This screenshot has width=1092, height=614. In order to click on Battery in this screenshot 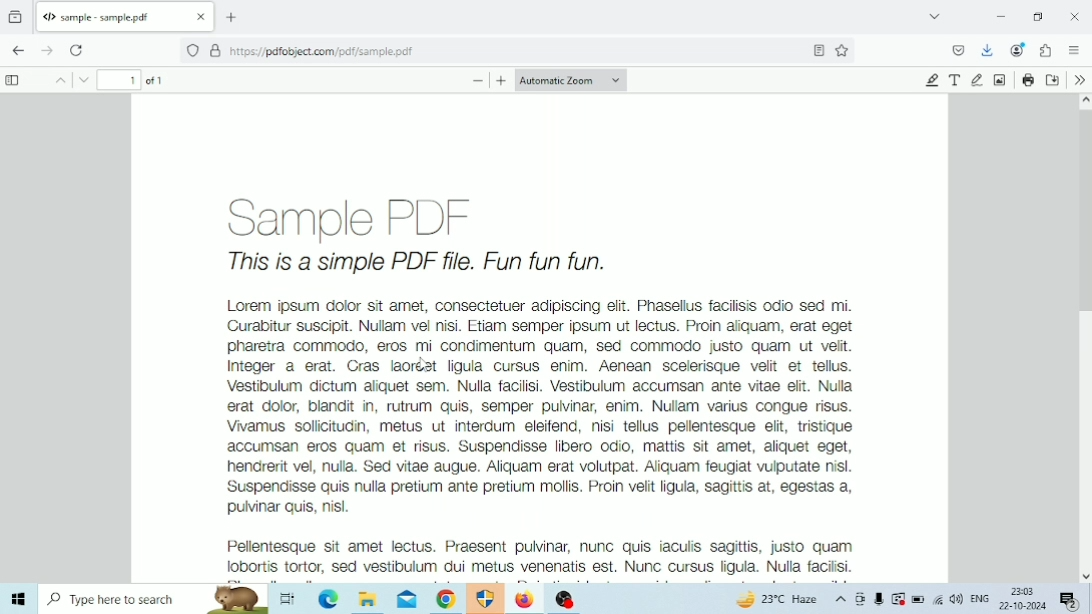, I will do `click(919, 599)`.